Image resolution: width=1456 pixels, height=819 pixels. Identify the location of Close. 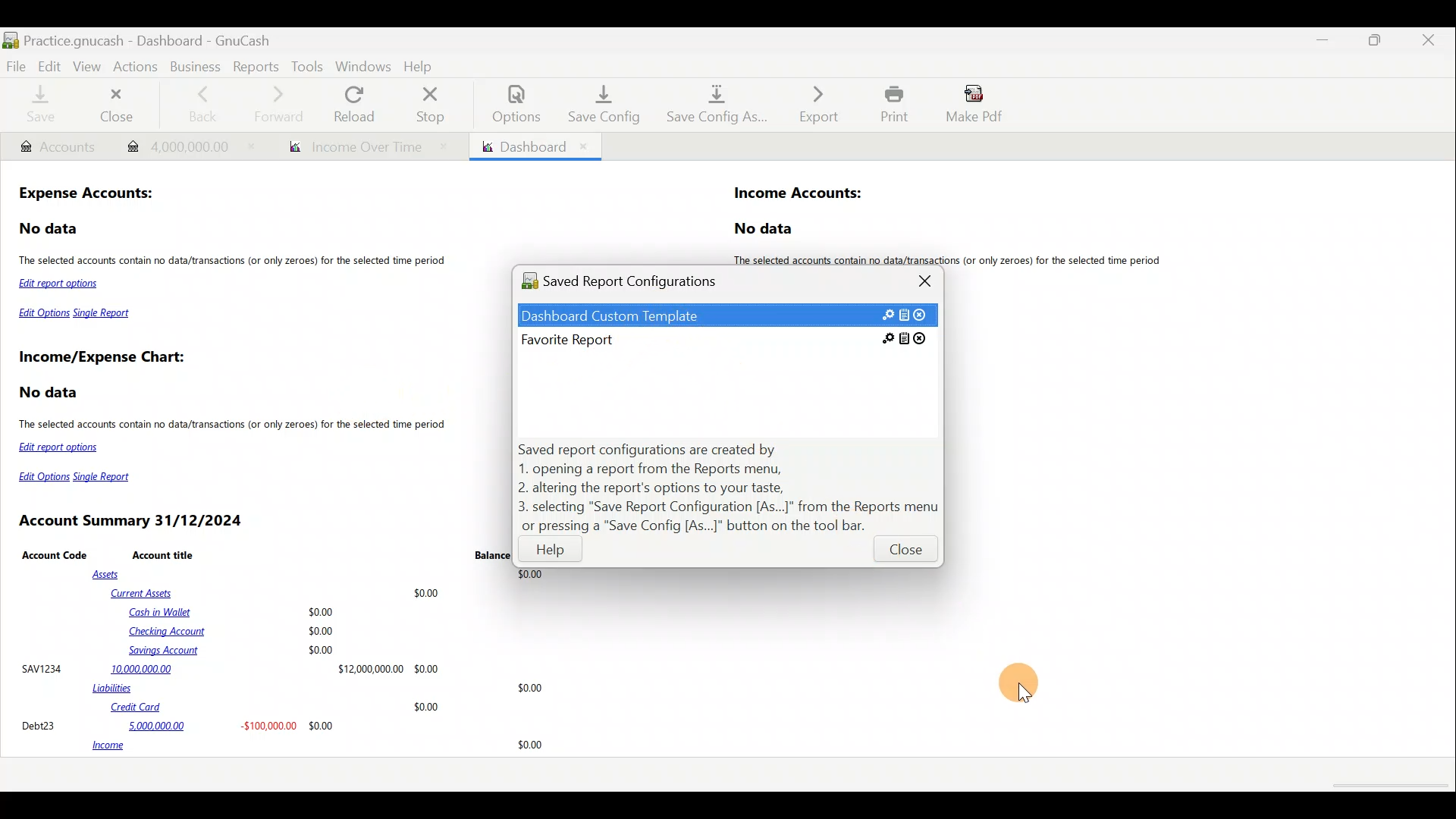
(903, 551).